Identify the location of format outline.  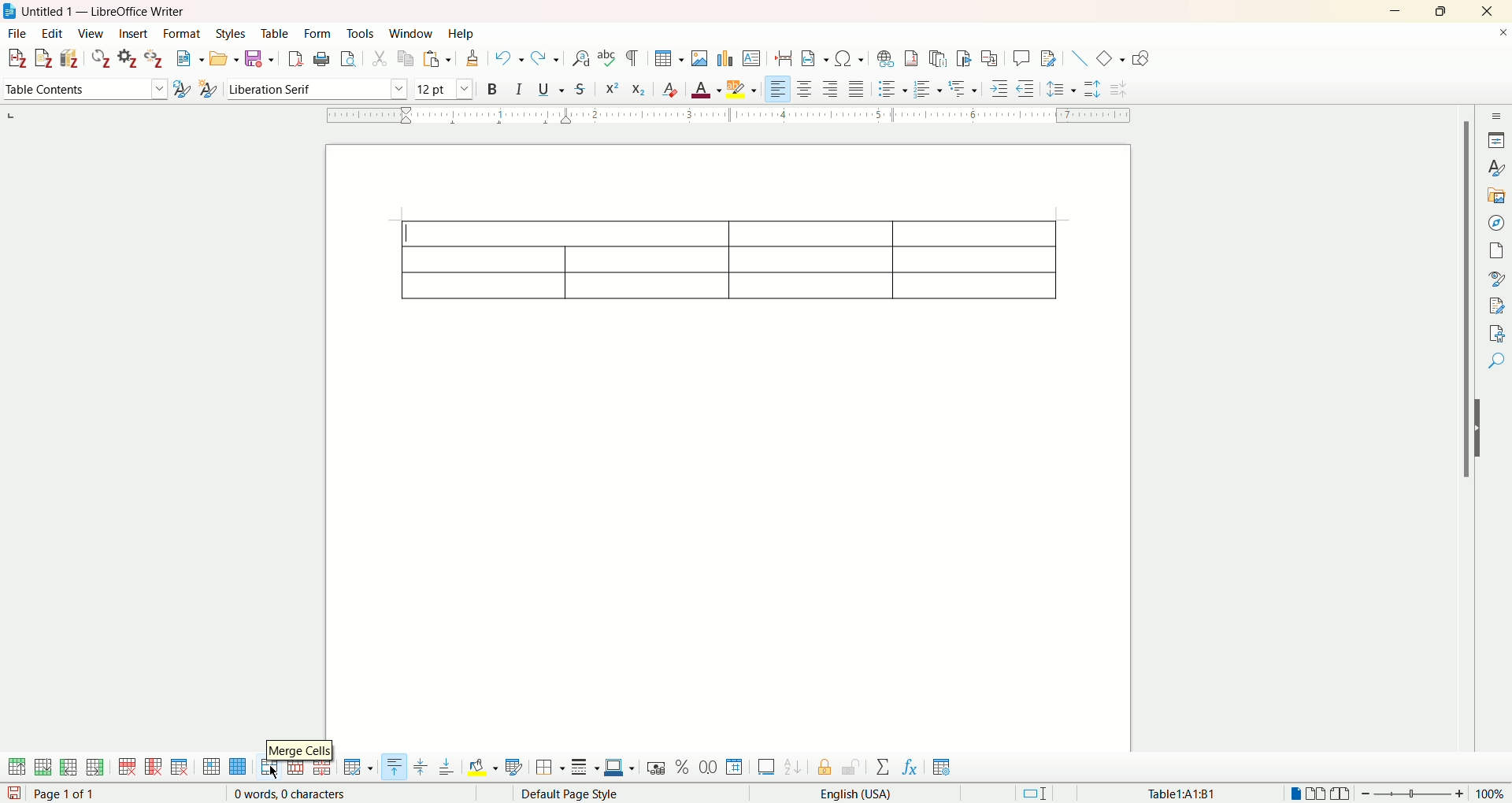
(965, 89).